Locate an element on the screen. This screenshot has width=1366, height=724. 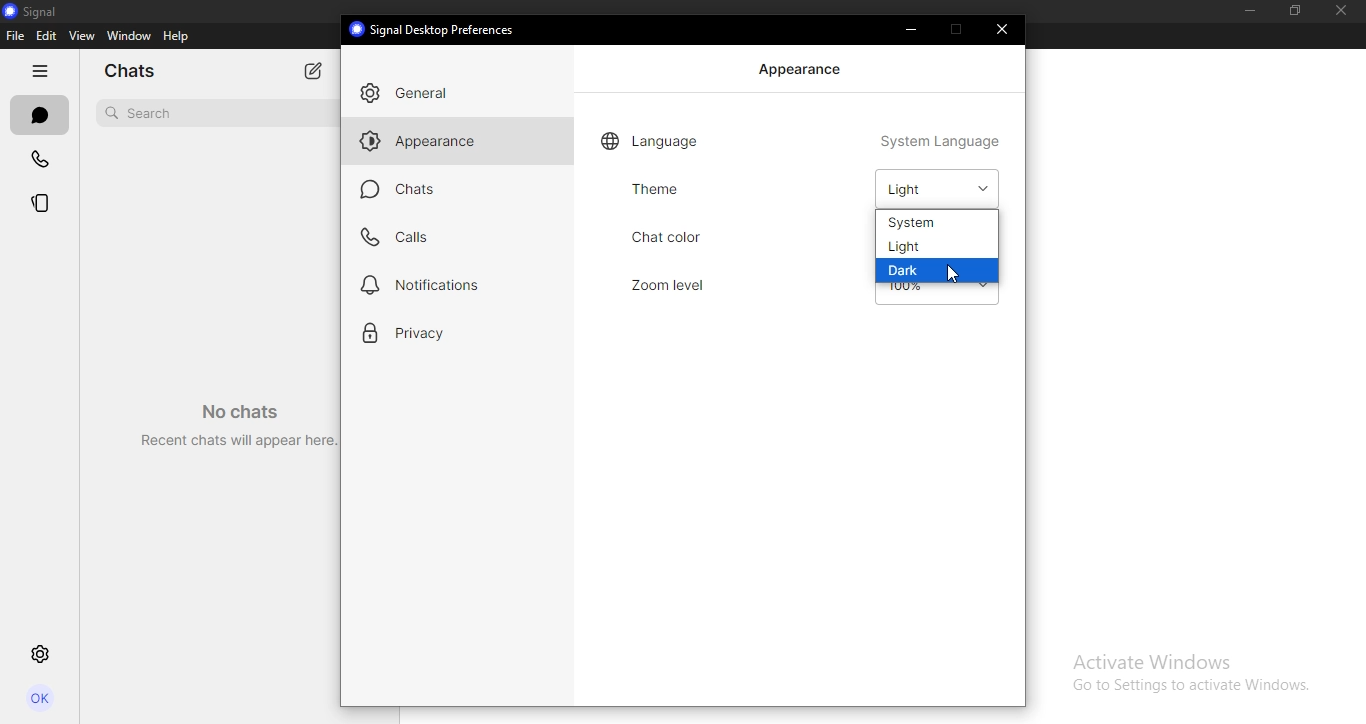
edit is located at coordinates (46, 36).